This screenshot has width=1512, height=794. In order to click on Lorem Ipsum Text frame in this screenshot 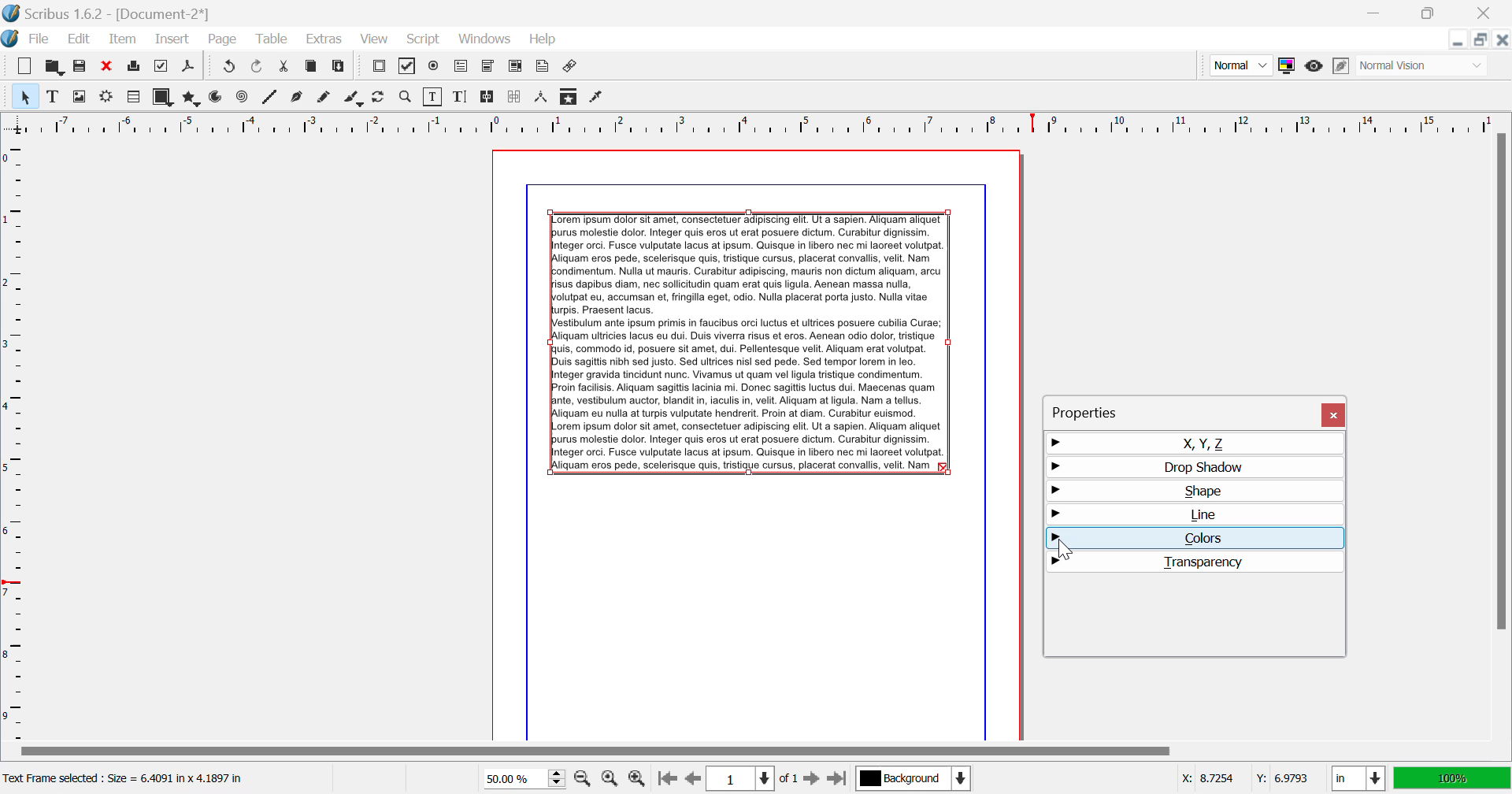, I will do `click(750, 340)`.